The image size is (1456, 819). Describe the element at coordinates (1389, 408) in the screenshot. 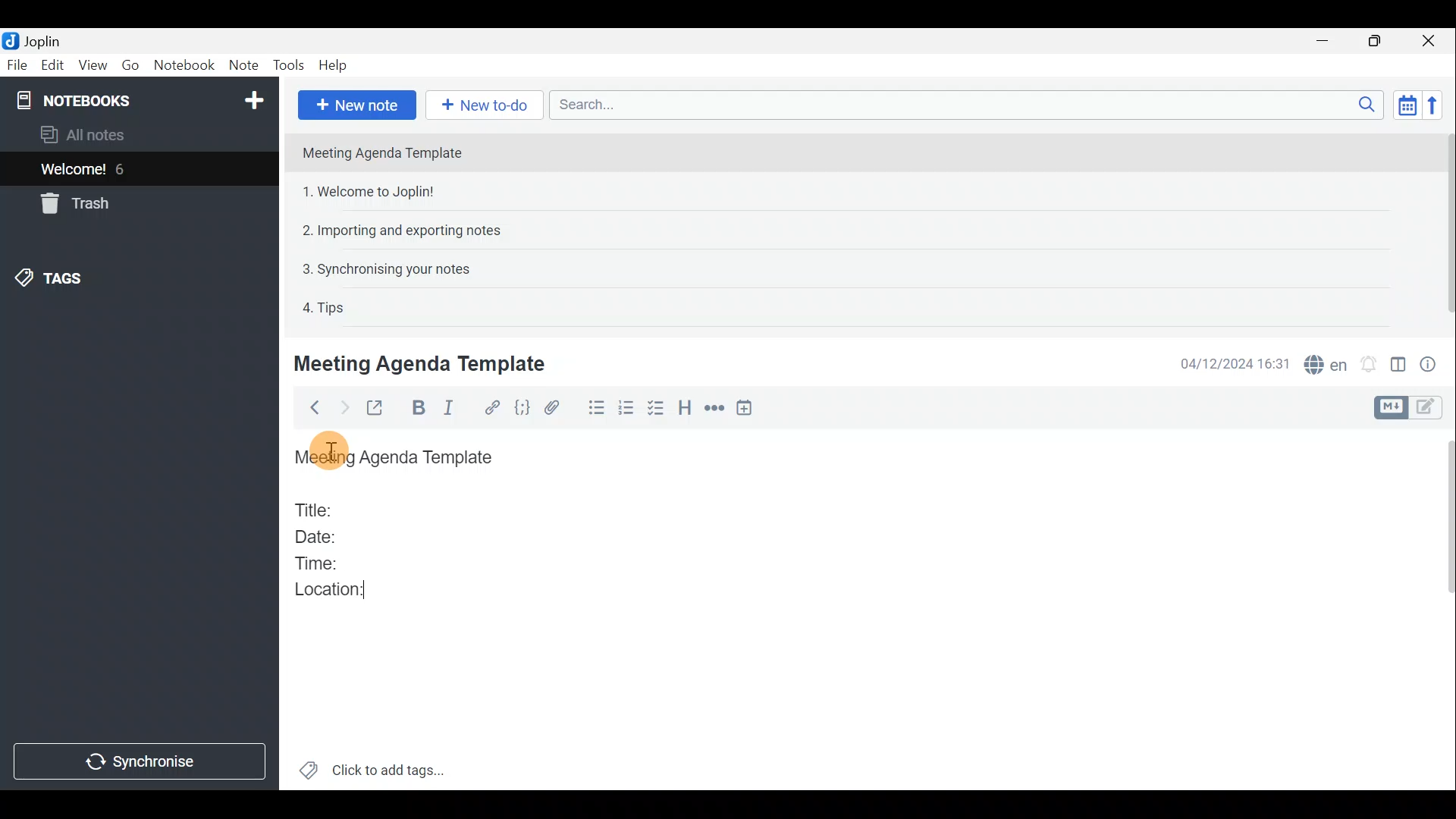

I see `Toggle editors` at that location.